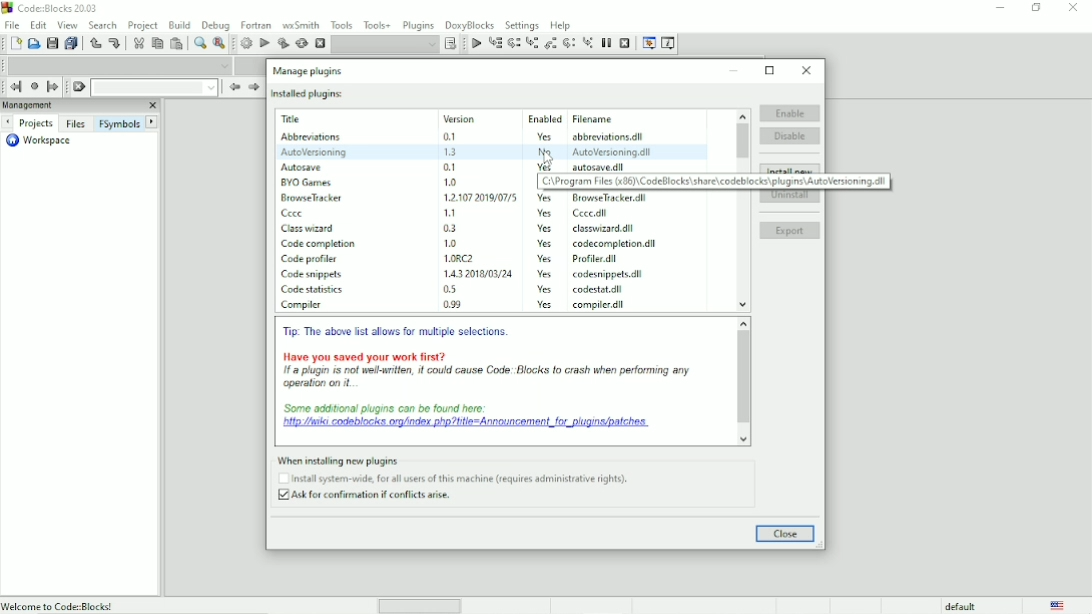  I want to click on Save, so click(52, 43).